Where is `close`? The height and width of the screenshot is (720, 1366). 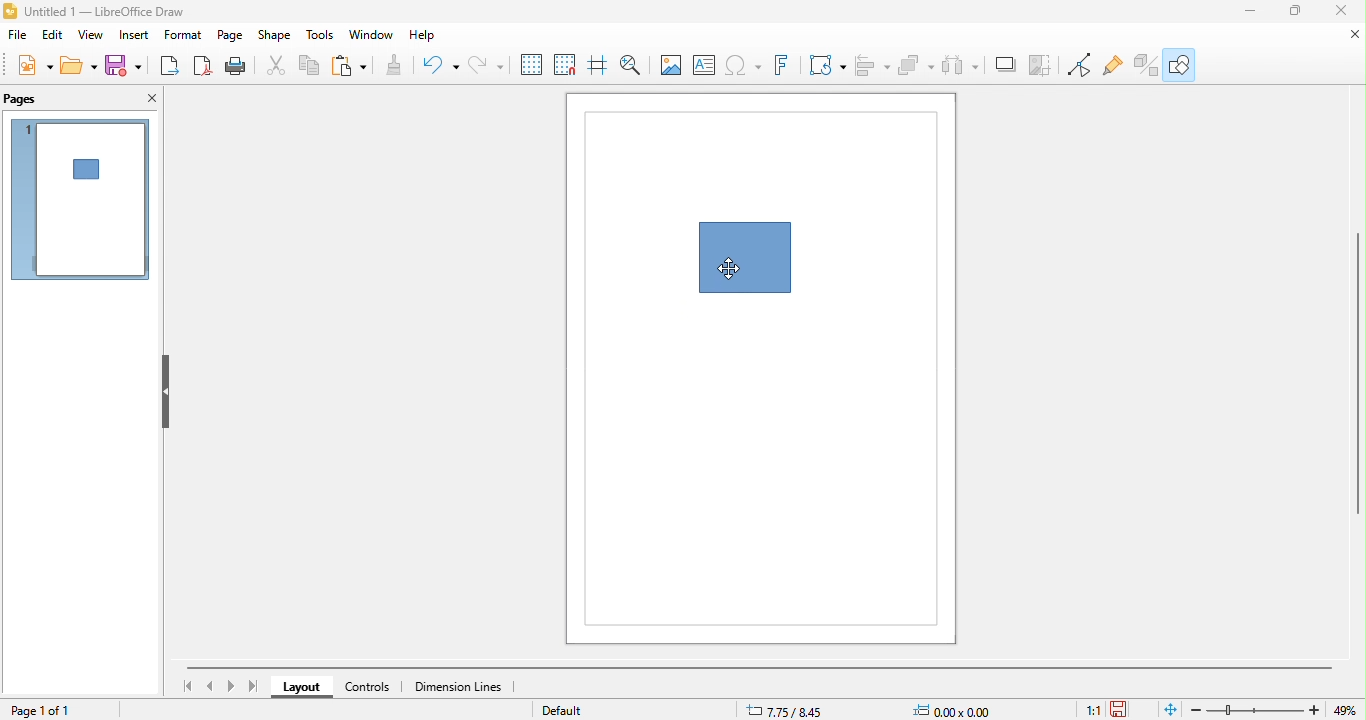 close is located at coordinates (1340, 10).